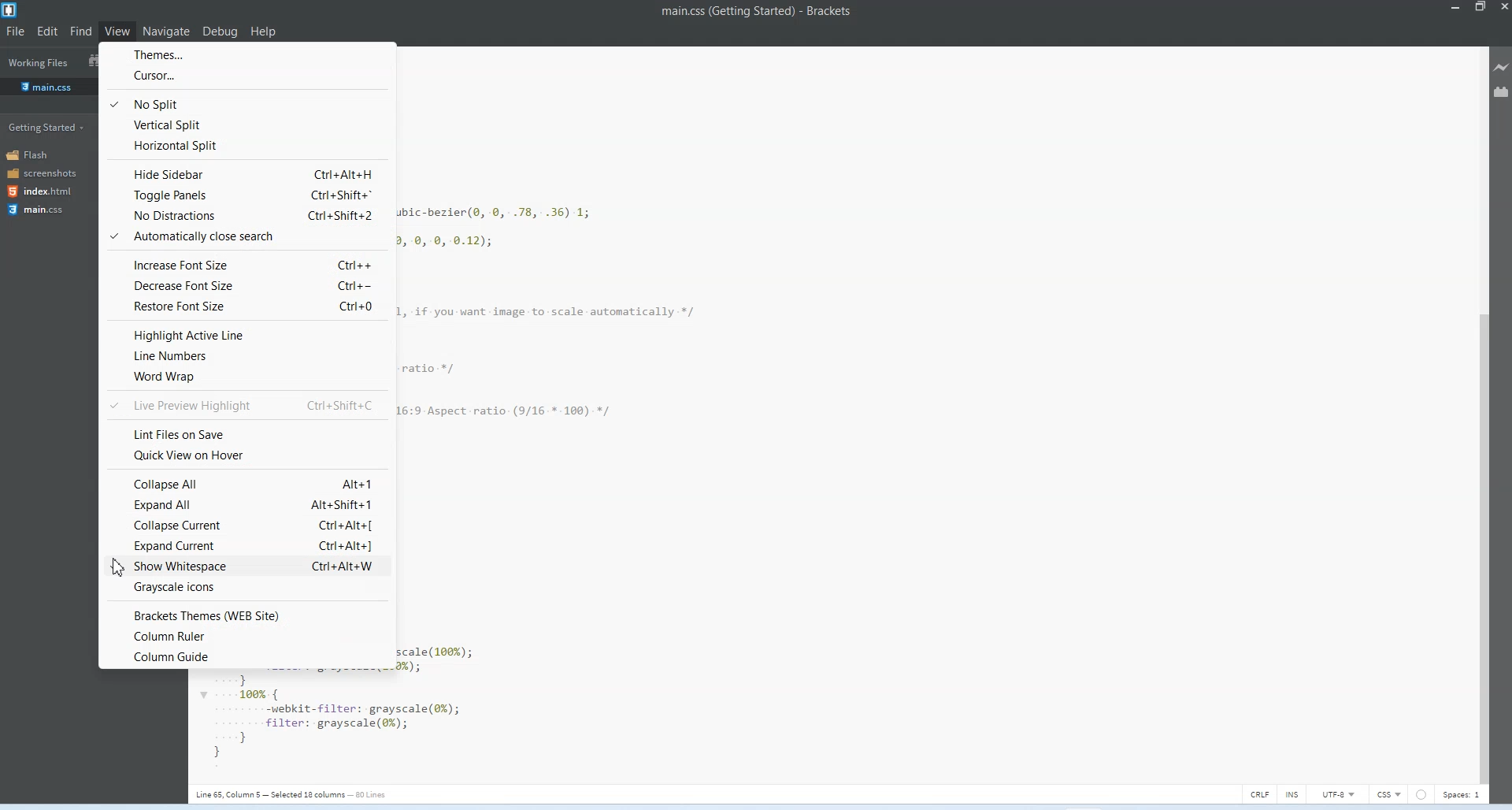  I want to click on Show in the file tree, so click(90, 60).